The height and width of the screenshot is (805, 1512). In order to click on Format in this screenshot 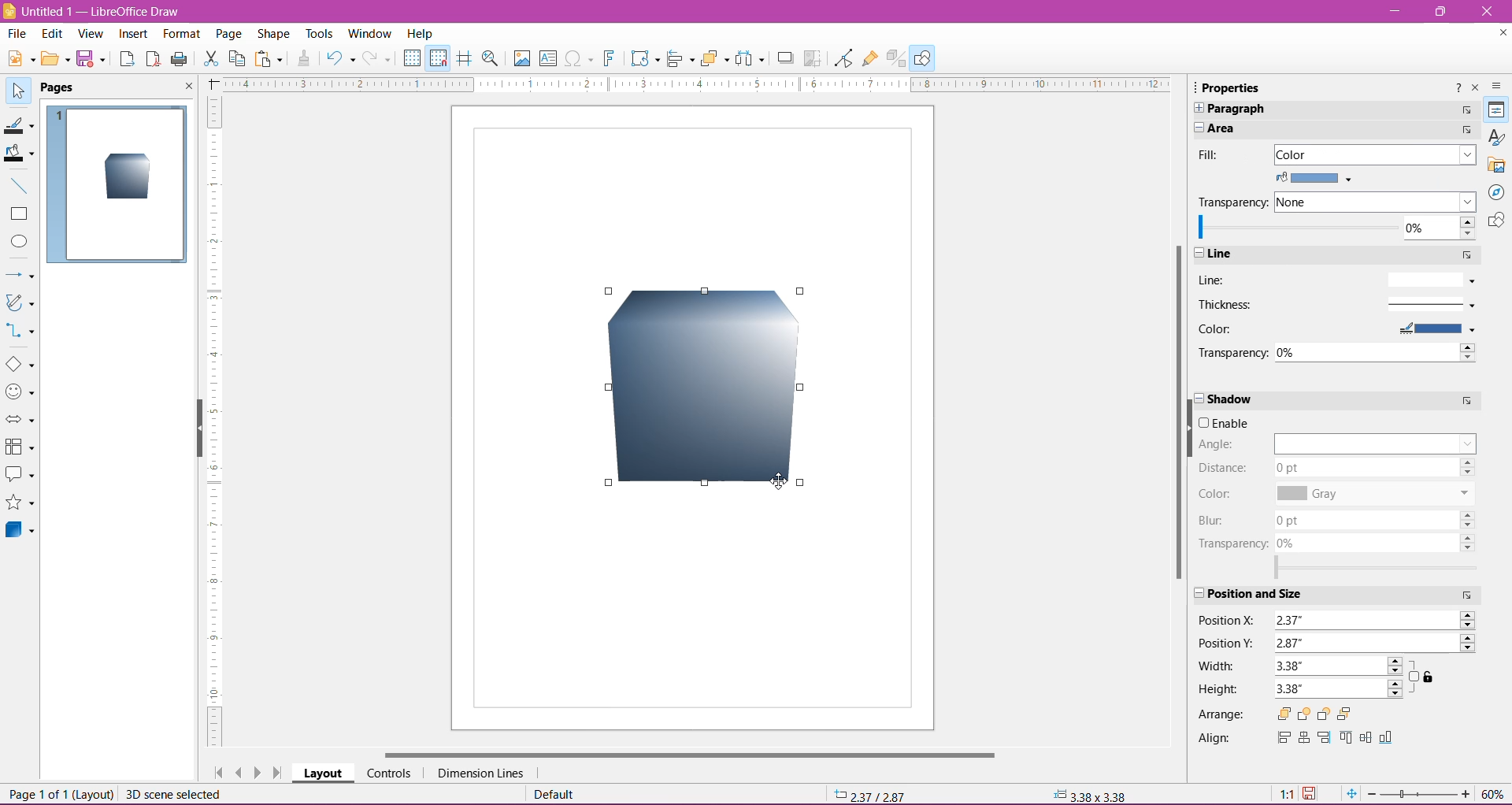, I will do `click(180, 35)`.